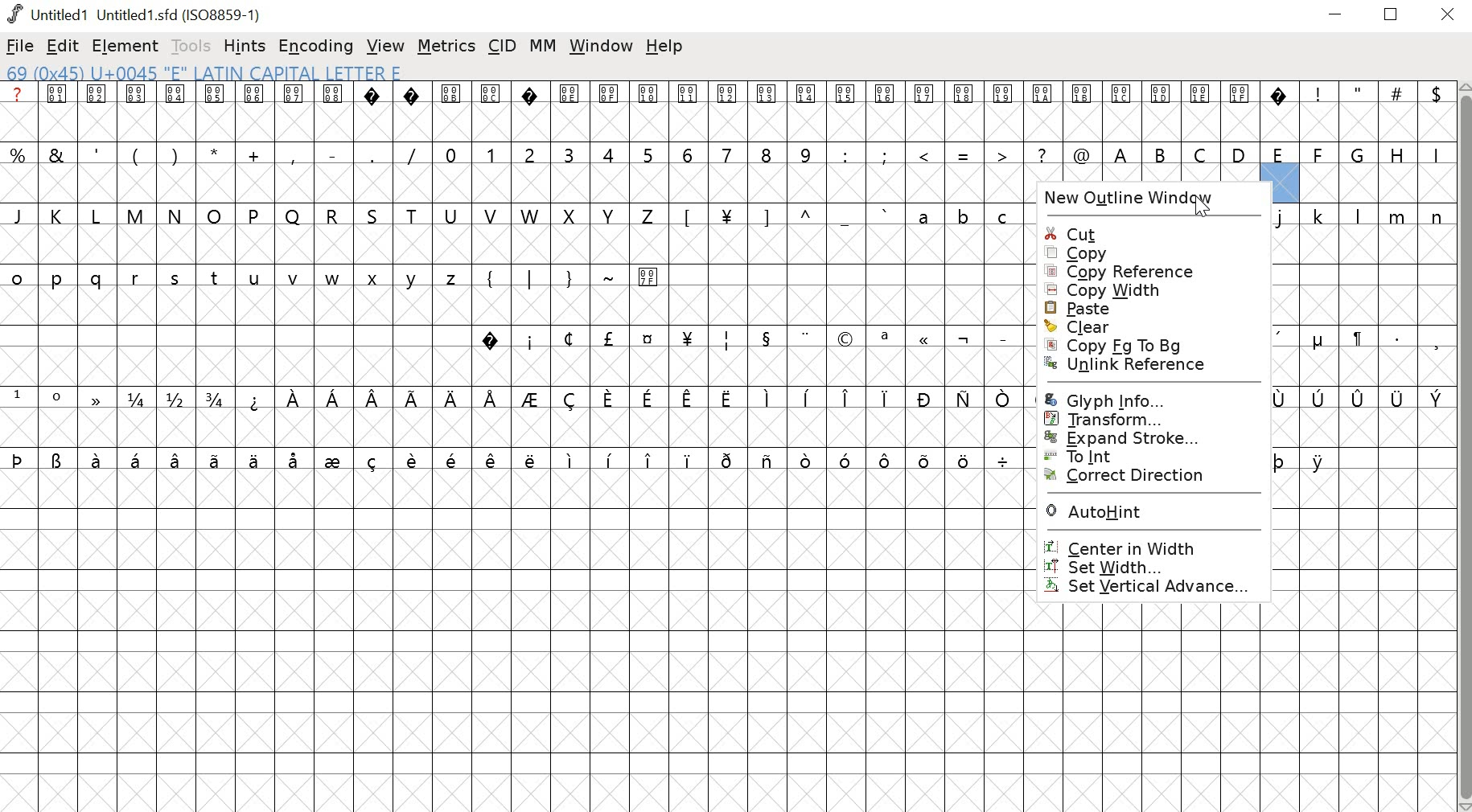 The height and width of the screenshot is (812, 1472). Describe the element at coordinates (1137, 437) in the screenshot. I see `EXPAND STROKE` at that location.